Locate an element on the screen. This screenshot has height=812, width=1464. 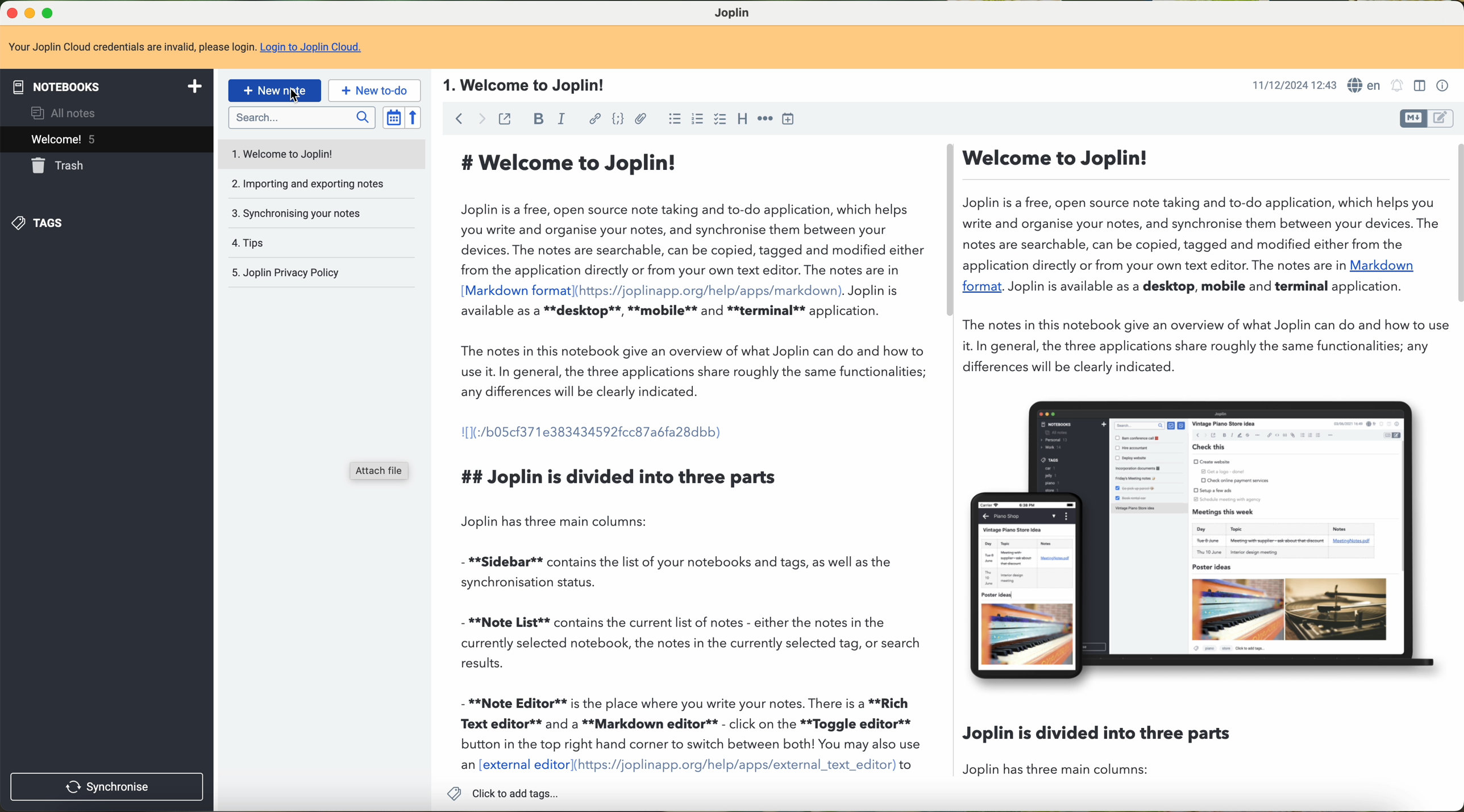
all notes is located at coordinates (66, 114).